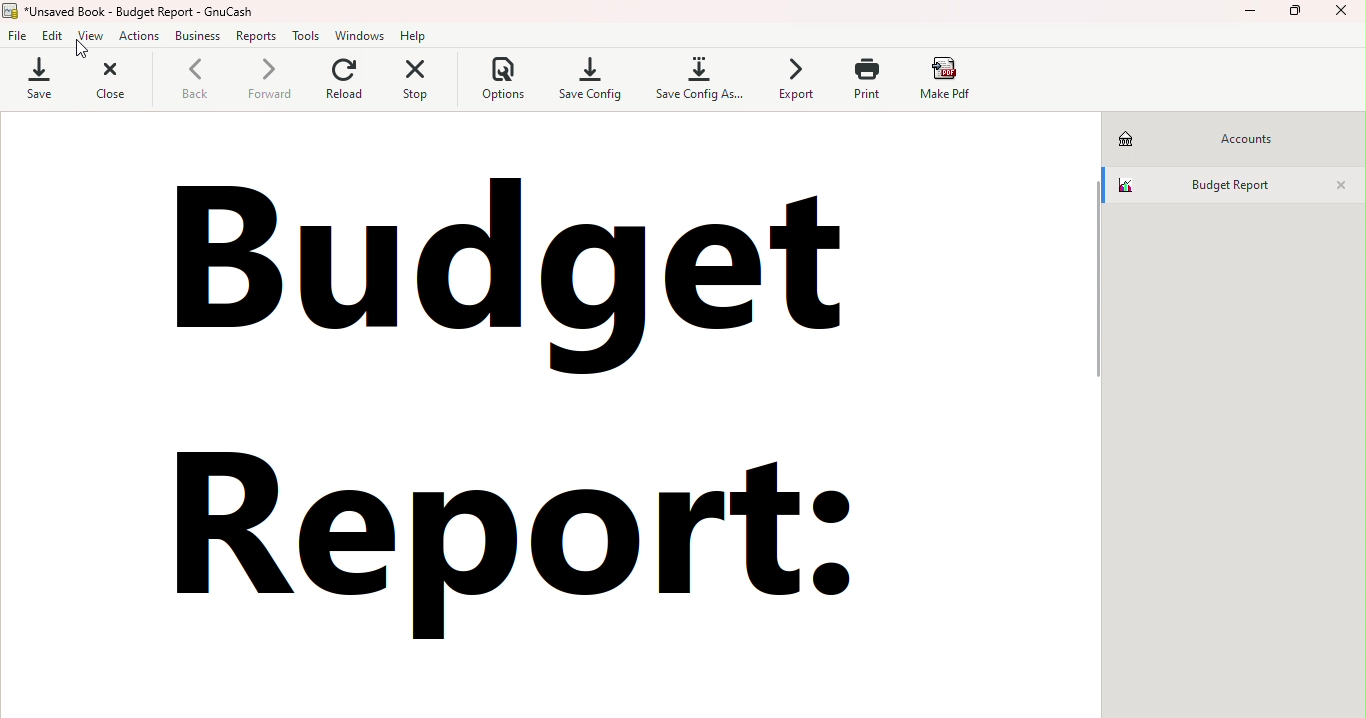 Image resolution: width=1366 pixels, height=718 pixels. Describe the element at coordinates (260, 38) in the screenshot. I see `Reports` at that location.